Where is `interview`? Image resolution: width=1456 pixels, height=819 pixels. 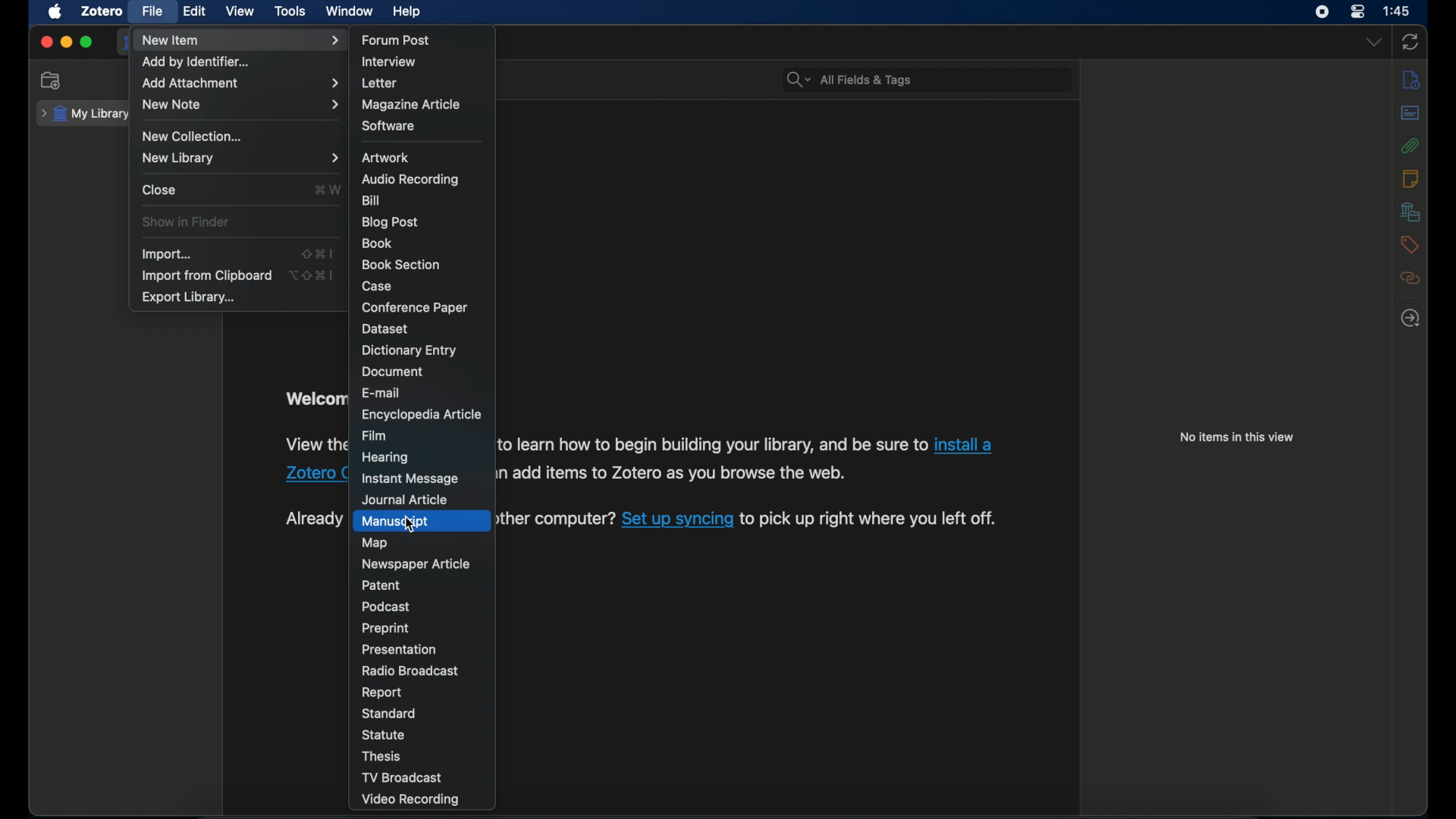
interview is located at coordinates (390, 62).